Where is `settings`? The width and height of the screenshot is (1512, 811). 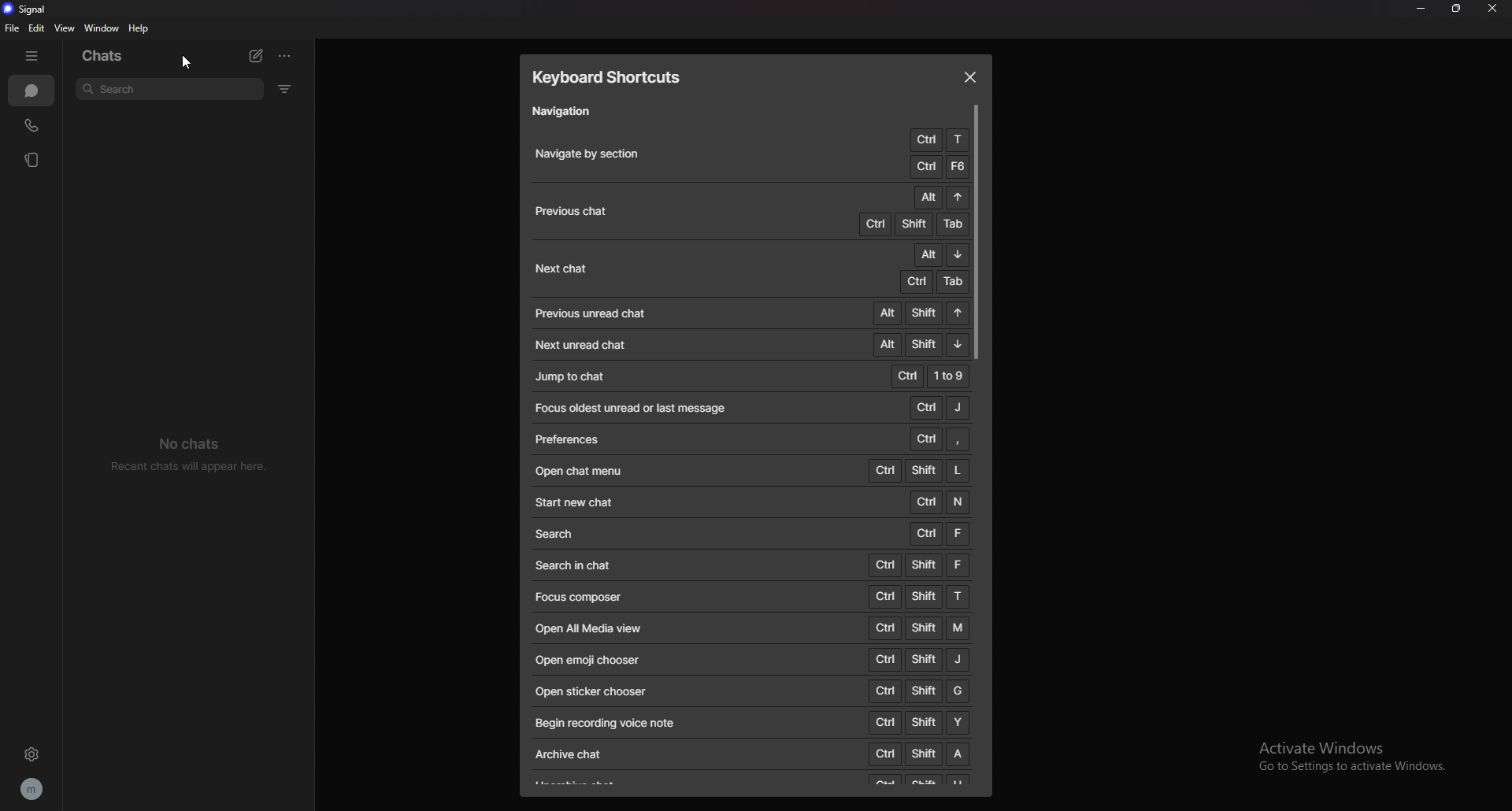
settings is located at coordinates (34, 754).